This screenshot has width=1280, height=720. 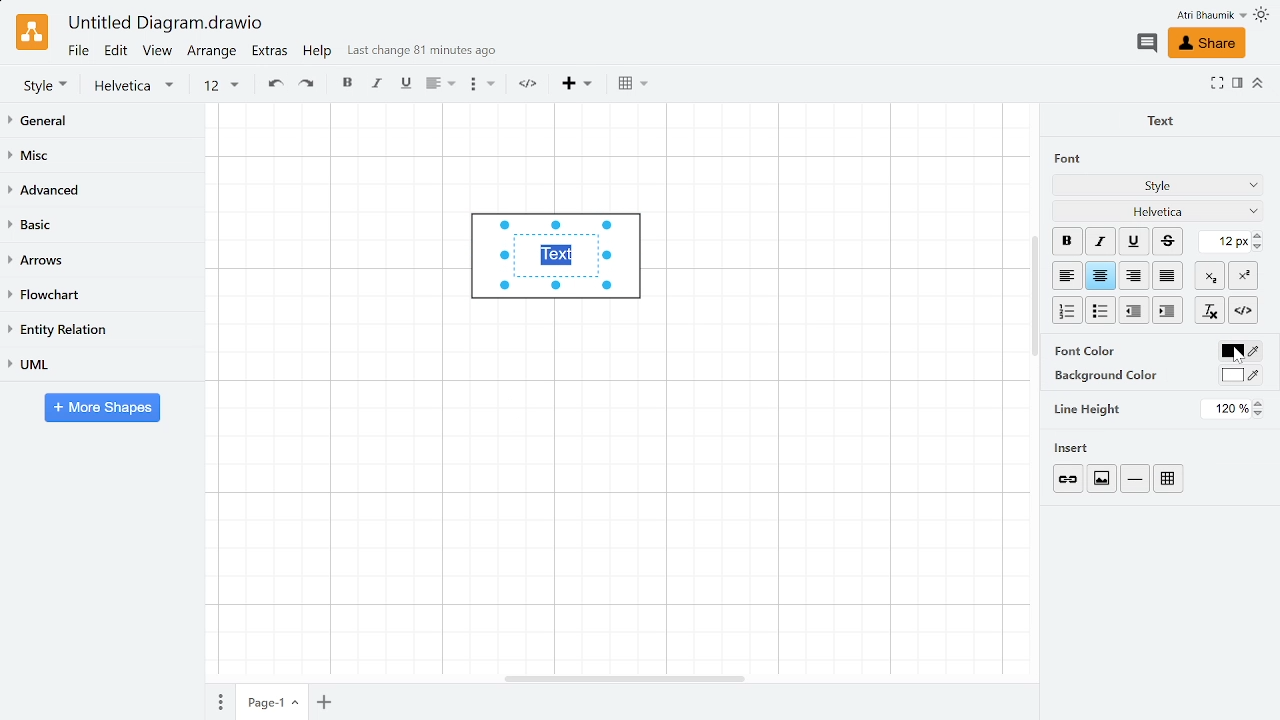 What do you see at coordinates (98, 296) in the screenshot?
I see `Flowchart` at bounding box center [98, 296].